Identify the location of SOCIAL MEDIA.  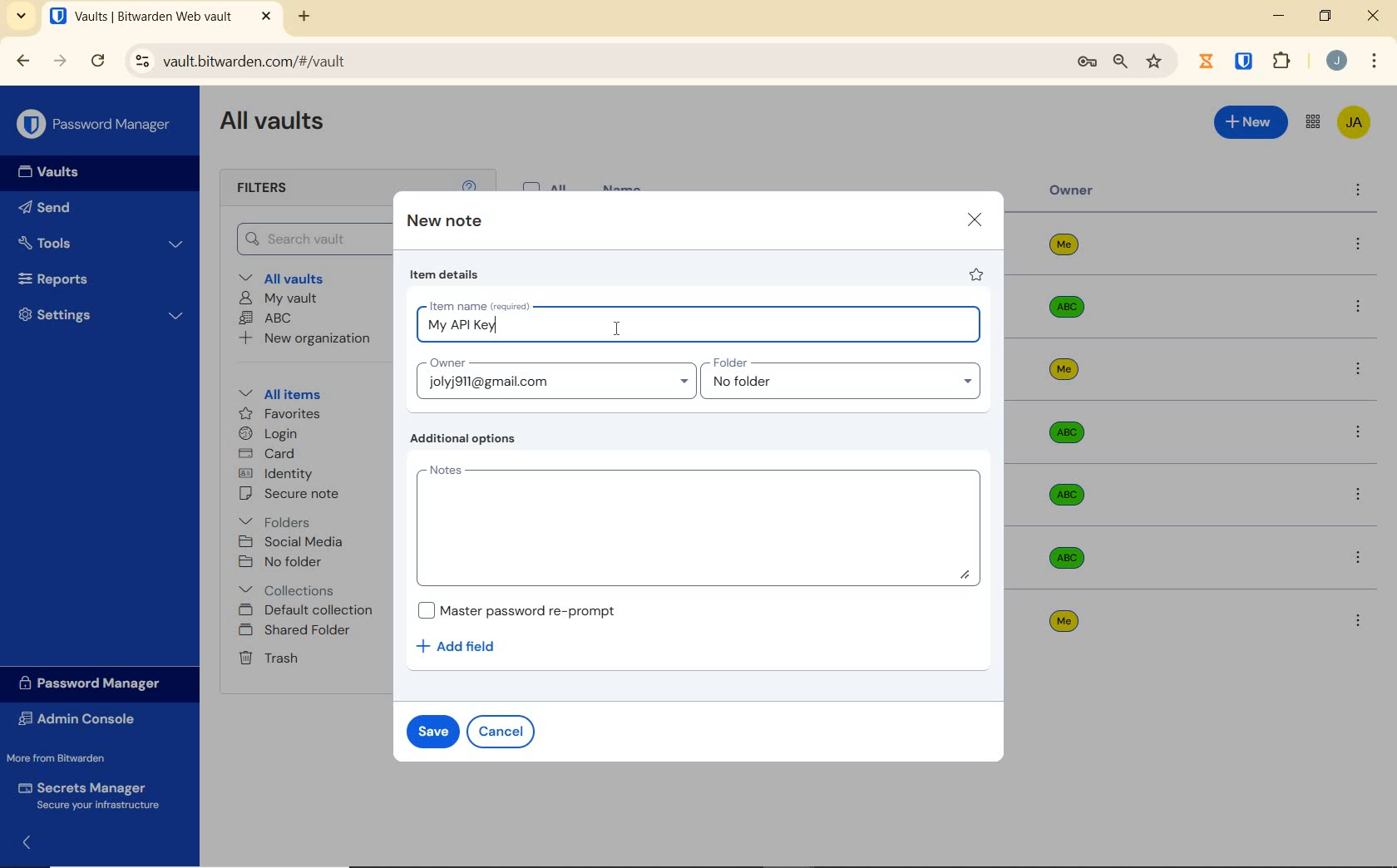
(294, 542).